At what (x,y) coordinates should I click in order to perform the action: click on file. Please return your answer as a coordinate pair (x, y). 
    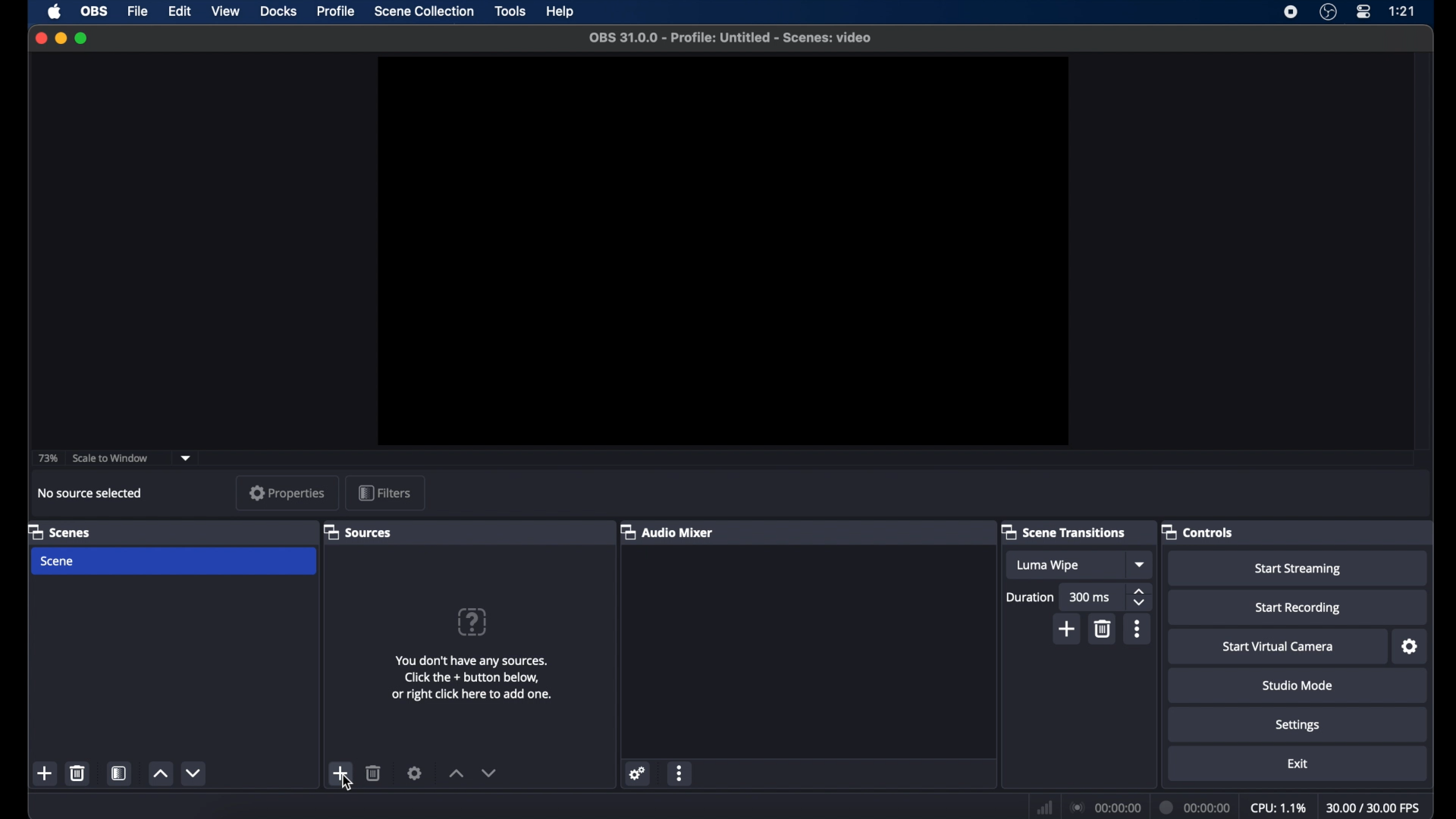
    Looking at the image, I should click on (140, 11).